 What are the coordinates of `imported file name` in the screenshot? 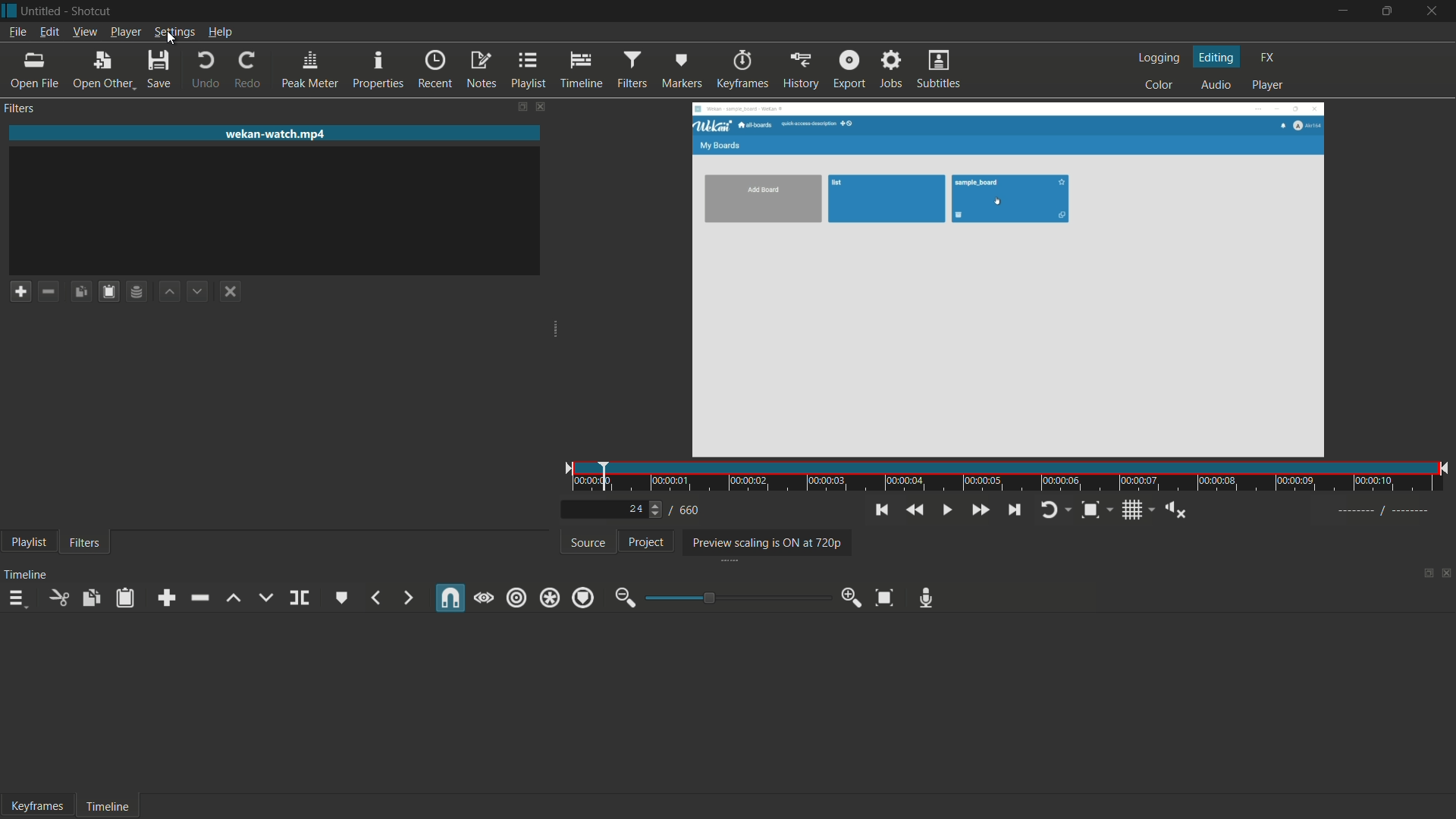 It's located at (276, 134).